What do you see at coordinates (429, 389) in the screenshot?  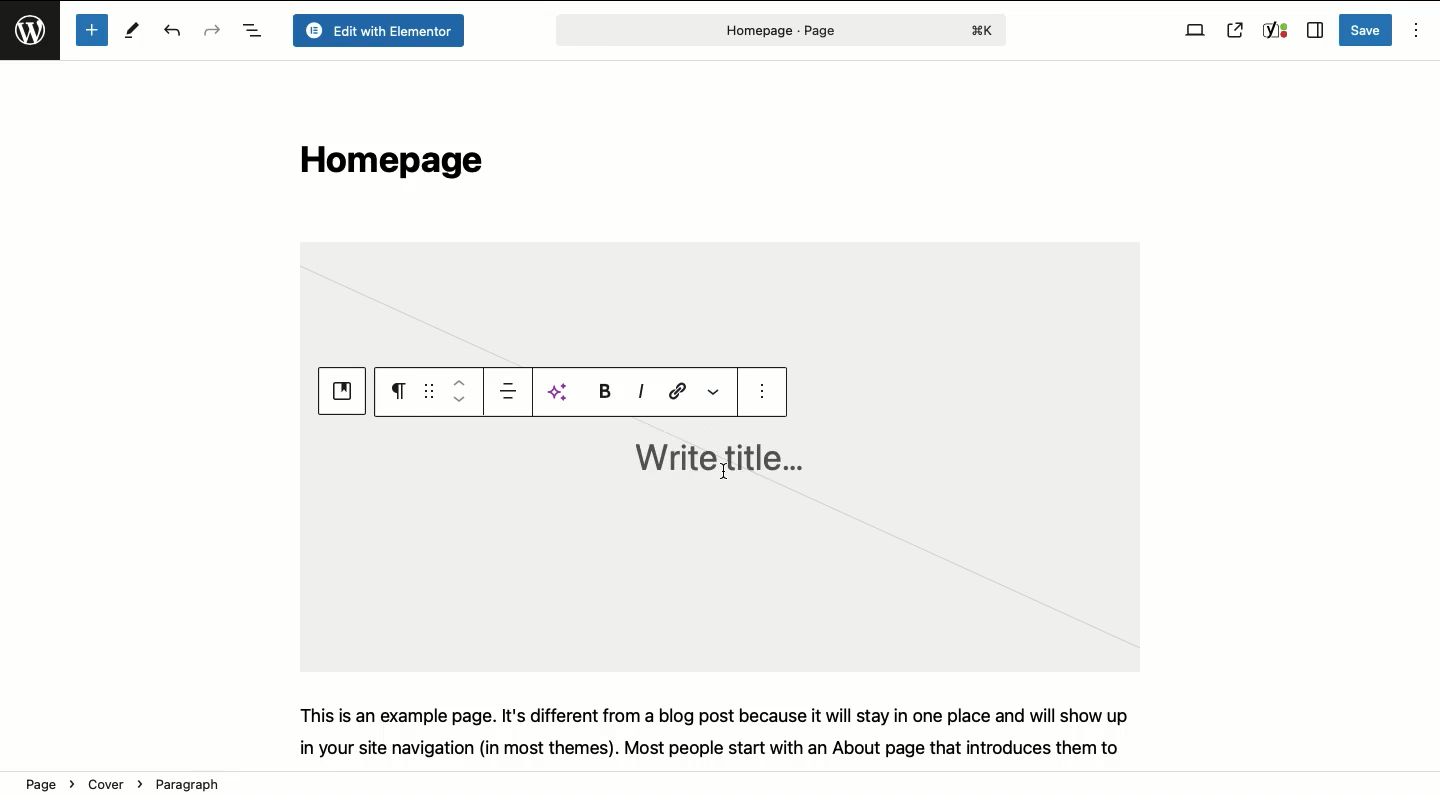 I see `Drag` at bounding box center [429, 389].